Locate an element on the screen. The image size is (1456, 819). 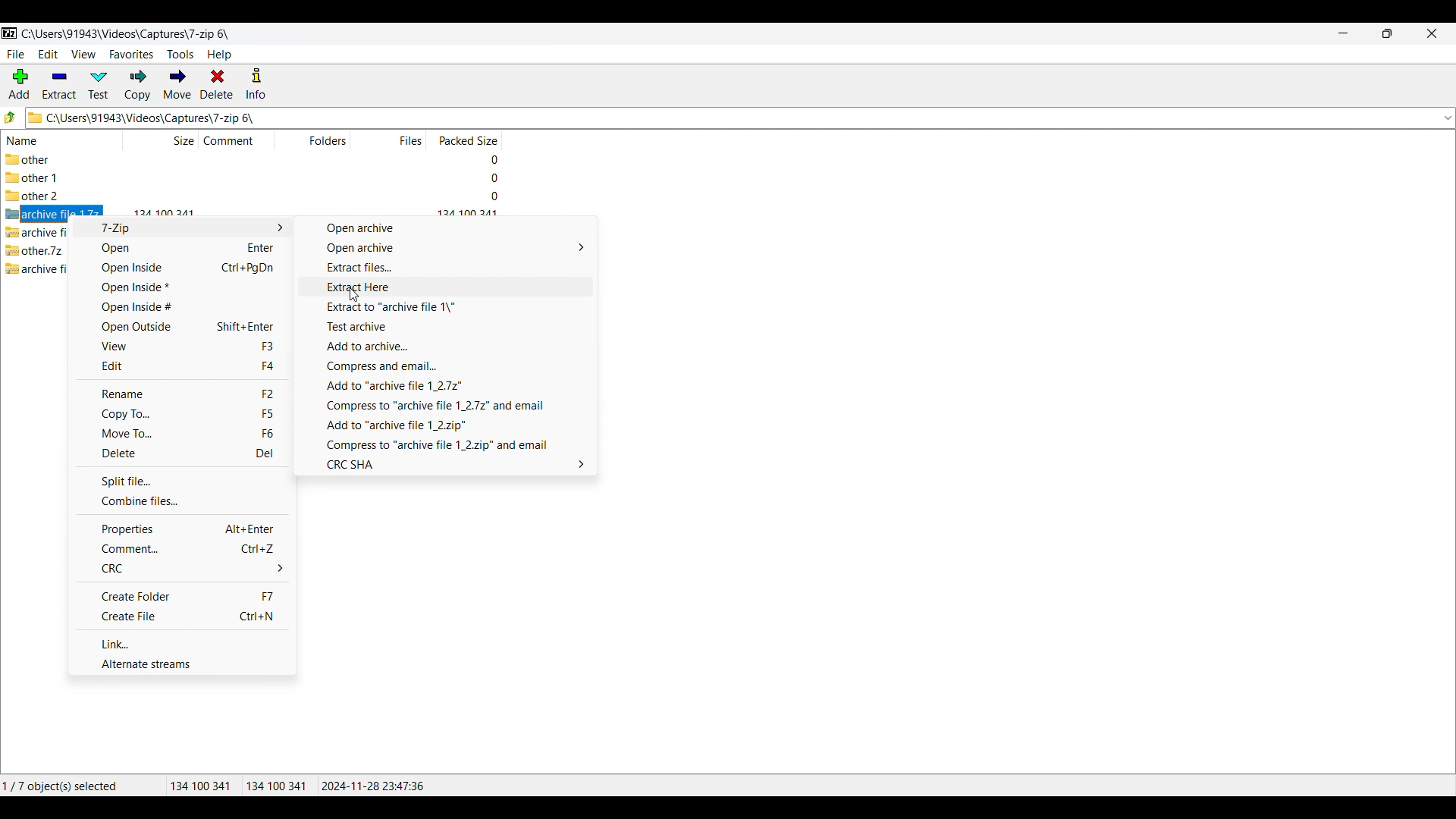
Combine files is located at coordinates (180, 501).